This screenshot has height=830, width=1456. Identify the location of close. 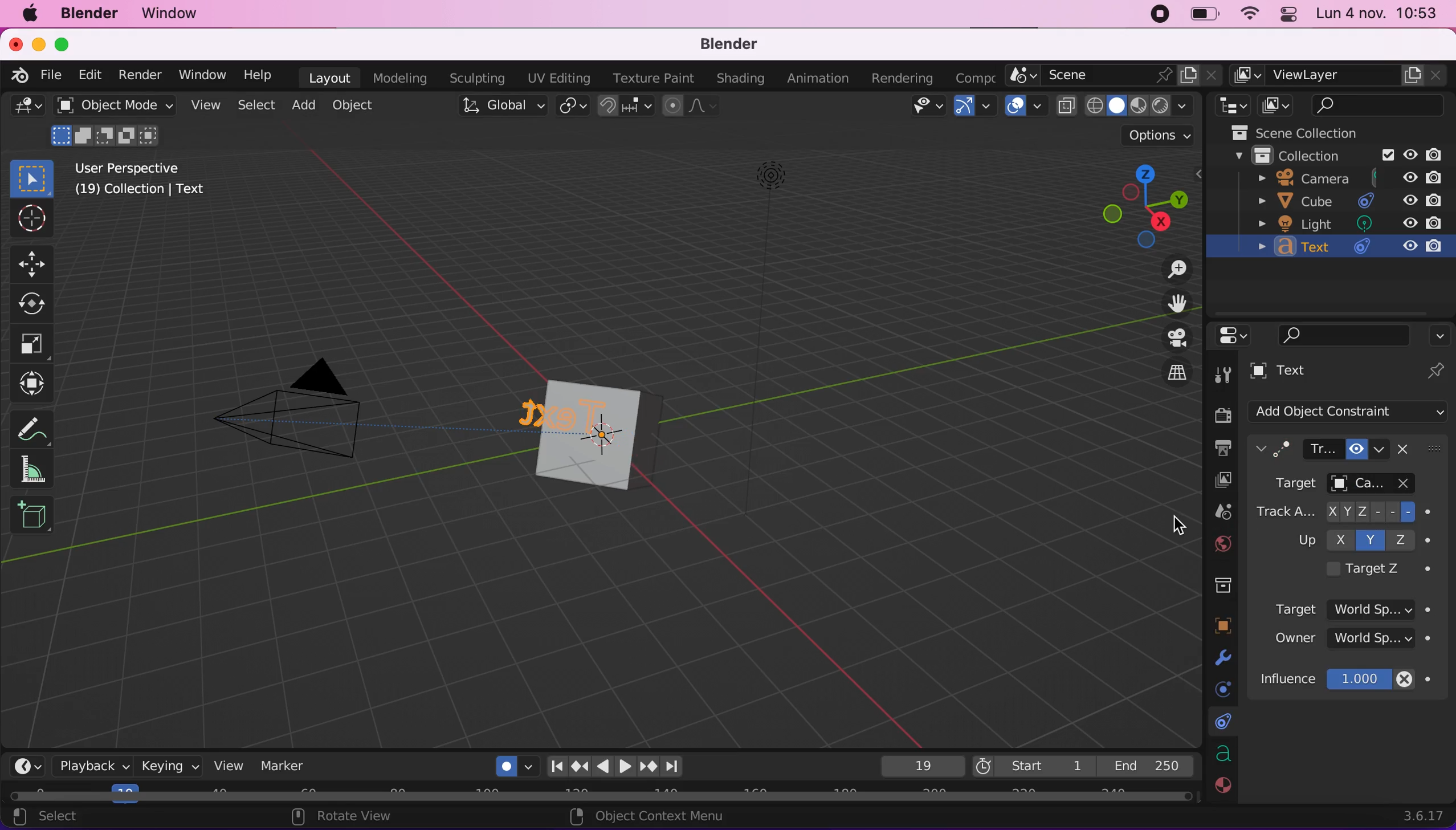
(17, 44).